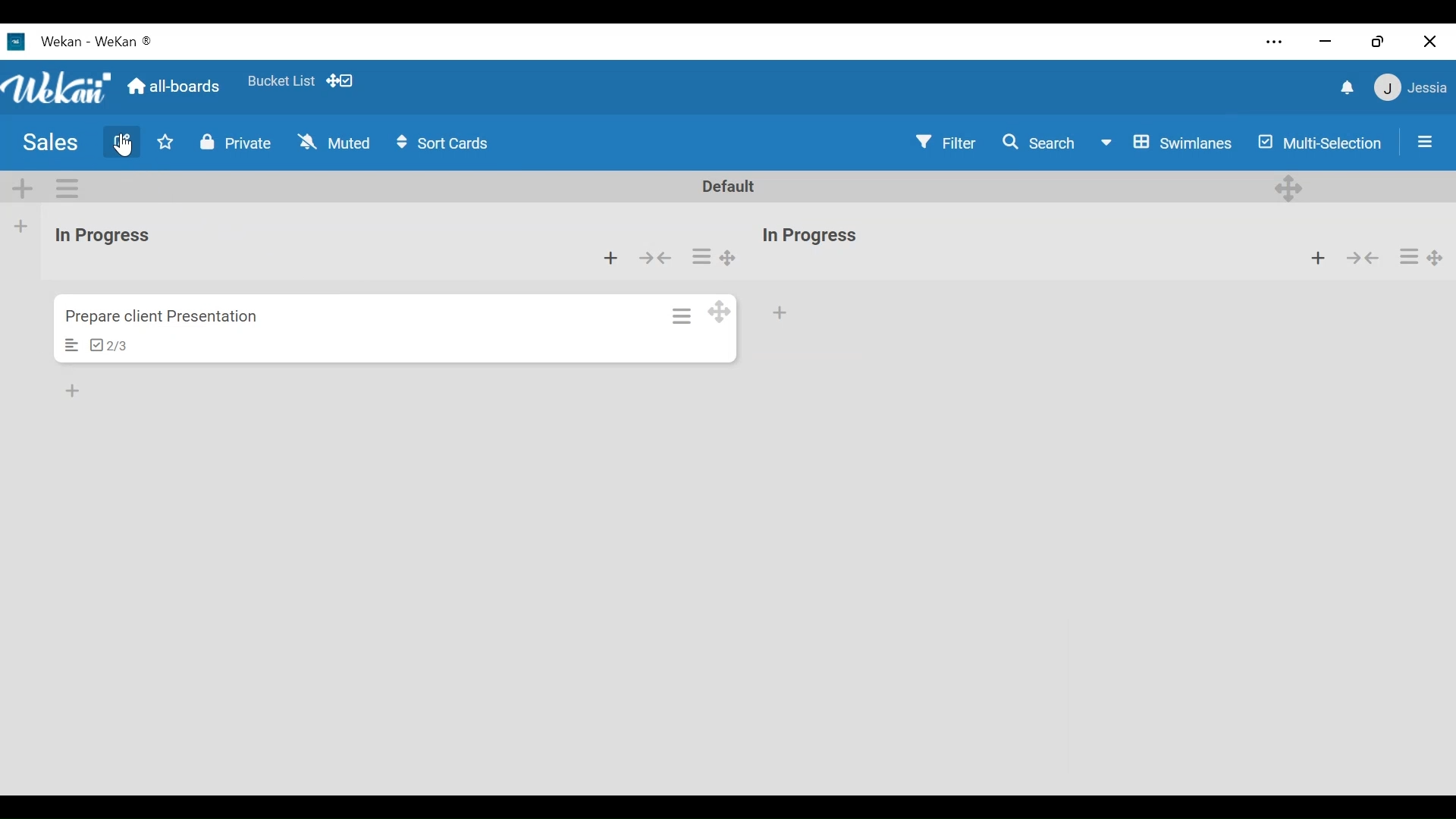 The height and width of the screenshot is (819, 1456). Describe the element at coordinates (1412, 87) in the screenshot. I see `Member` at that location.